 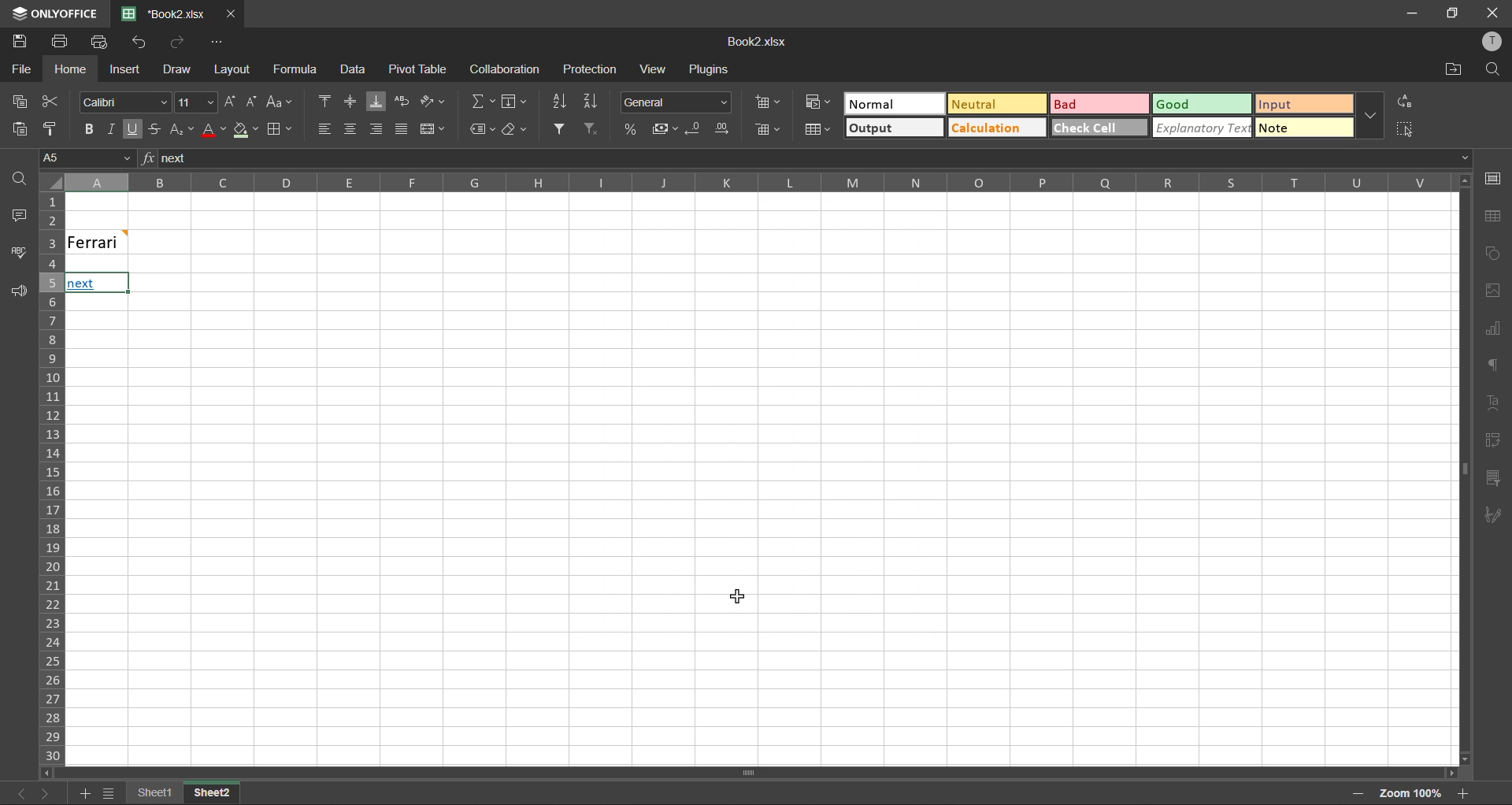 What do you see at coordinates (1098, 127) in the screenshot?
I see `check cell` at bounding box center [1098, 127].